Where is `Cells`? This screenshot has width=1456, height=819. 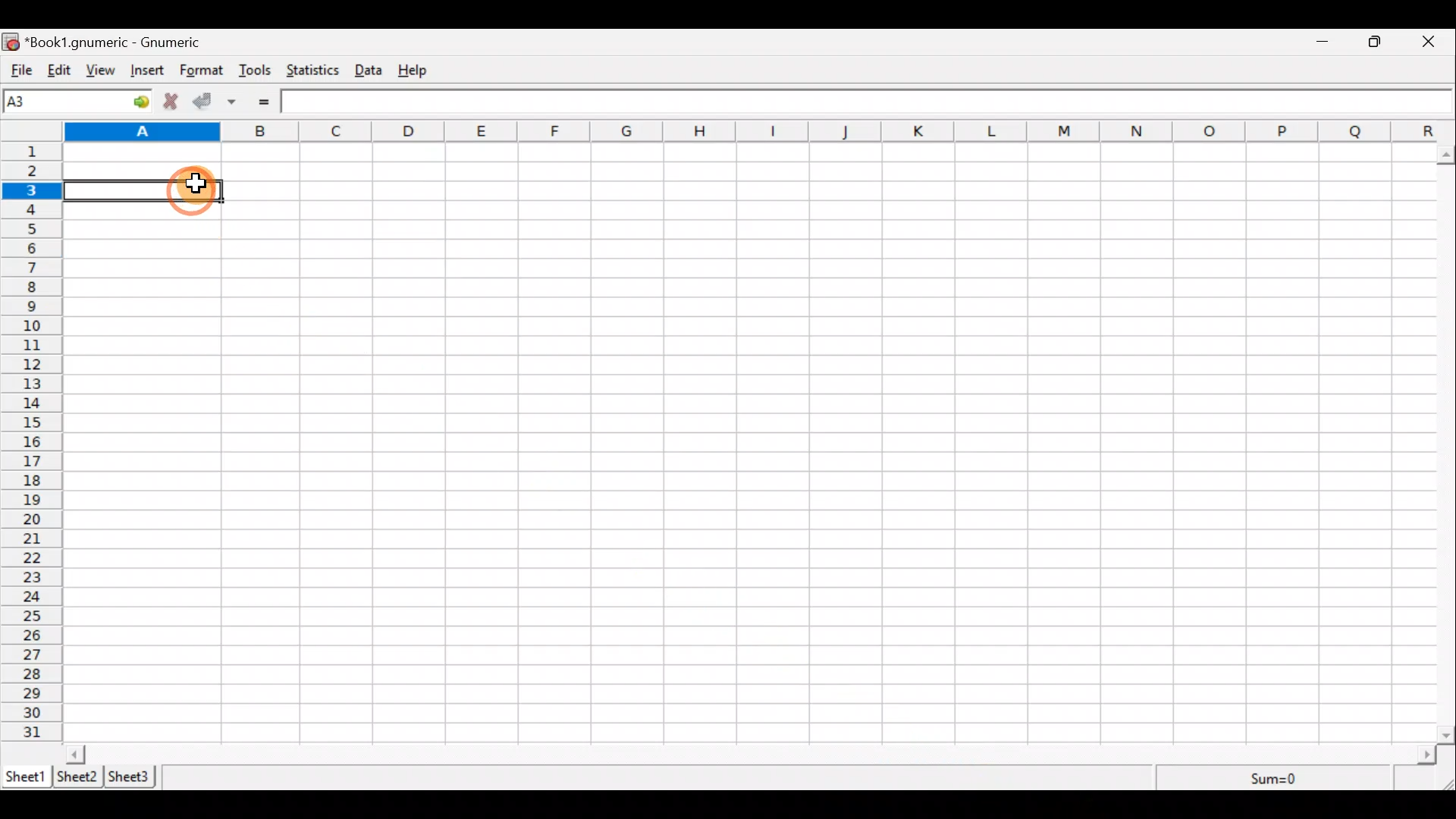
Cells is located at coordinates (748, 444).